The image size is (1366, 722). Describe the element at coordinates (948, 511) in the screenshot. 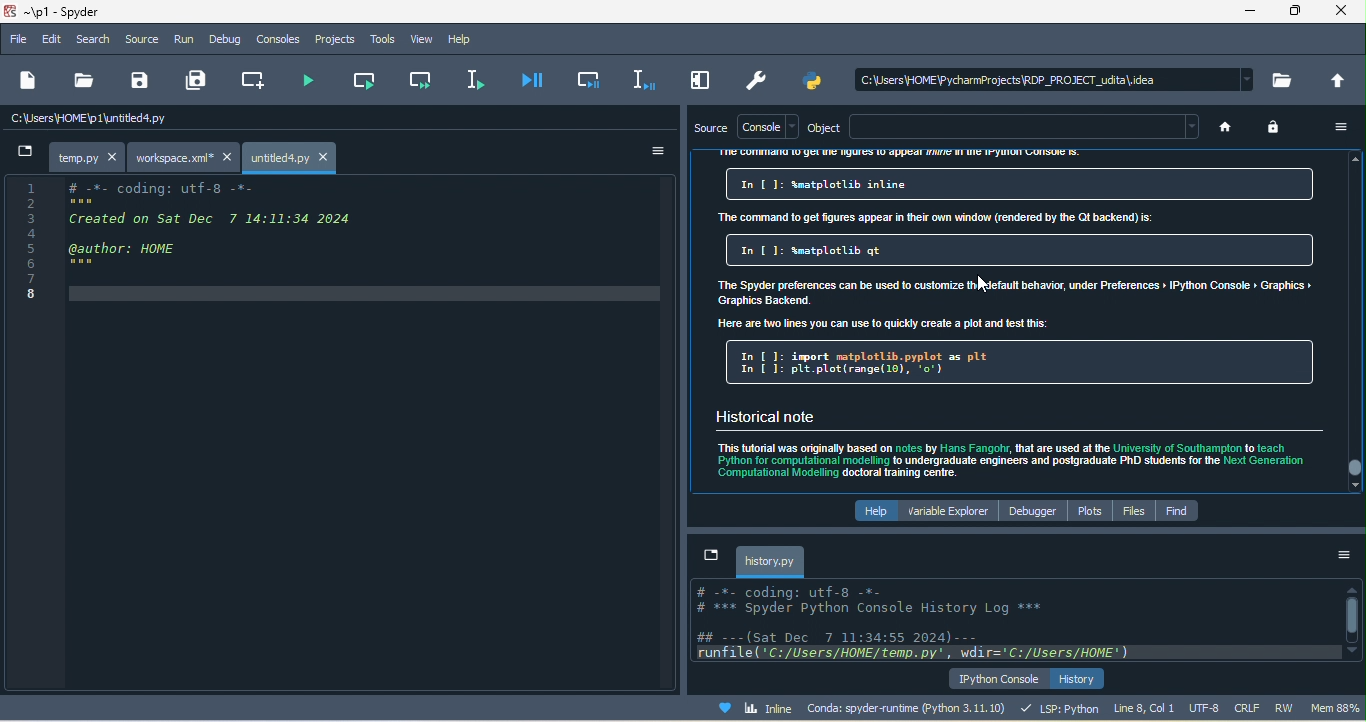

I see `variable explorer` at that location.